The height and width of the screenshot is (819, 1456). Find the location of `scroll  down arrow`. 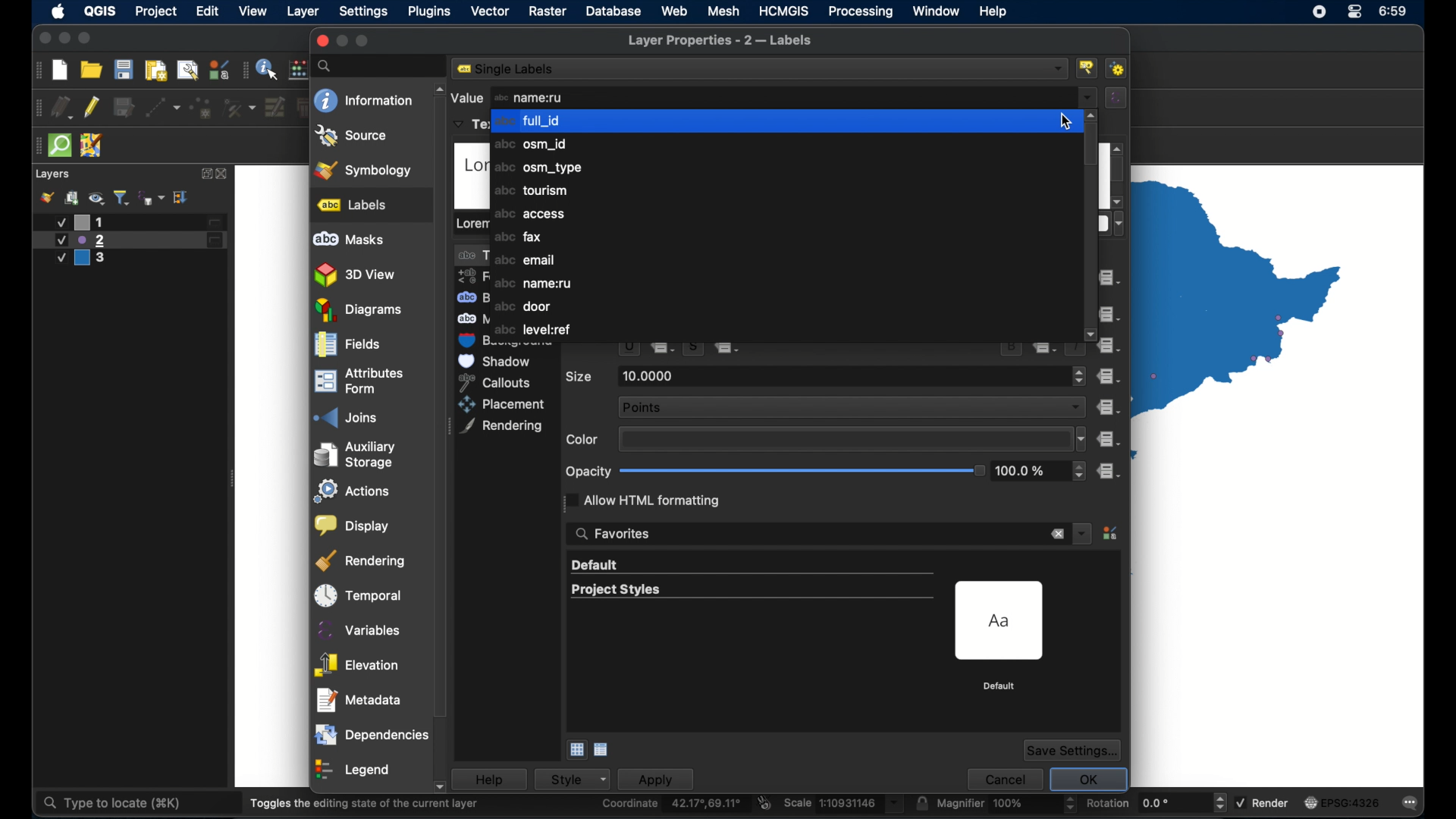

scroll  down arrow is located at coordinates (1092, 335).